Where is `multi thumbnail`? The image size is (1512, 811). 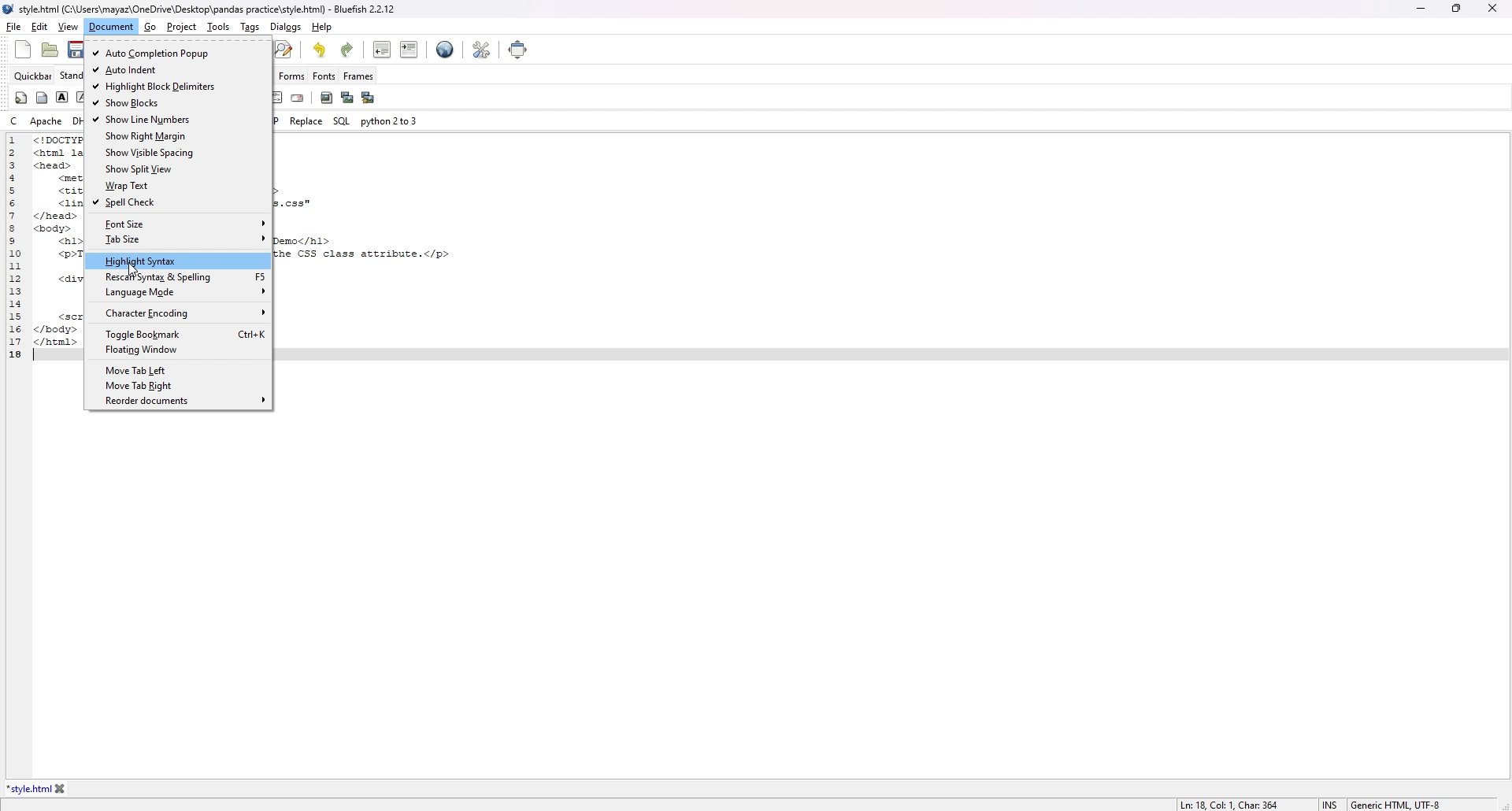 multi thumbnail is located at coordinates (369, 98).